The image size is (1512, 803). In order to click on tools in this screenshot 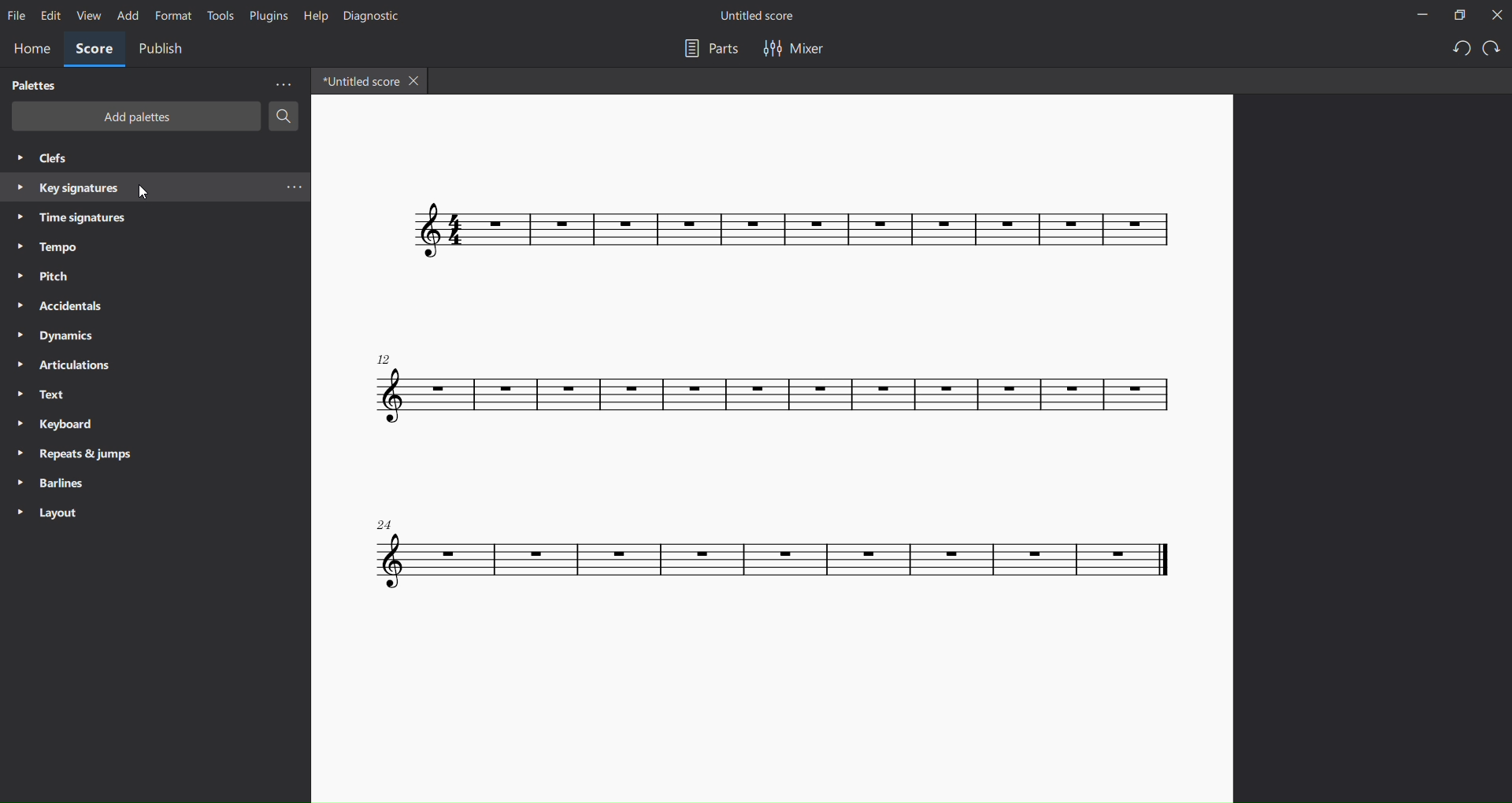, I will do `click(219, 13)`.